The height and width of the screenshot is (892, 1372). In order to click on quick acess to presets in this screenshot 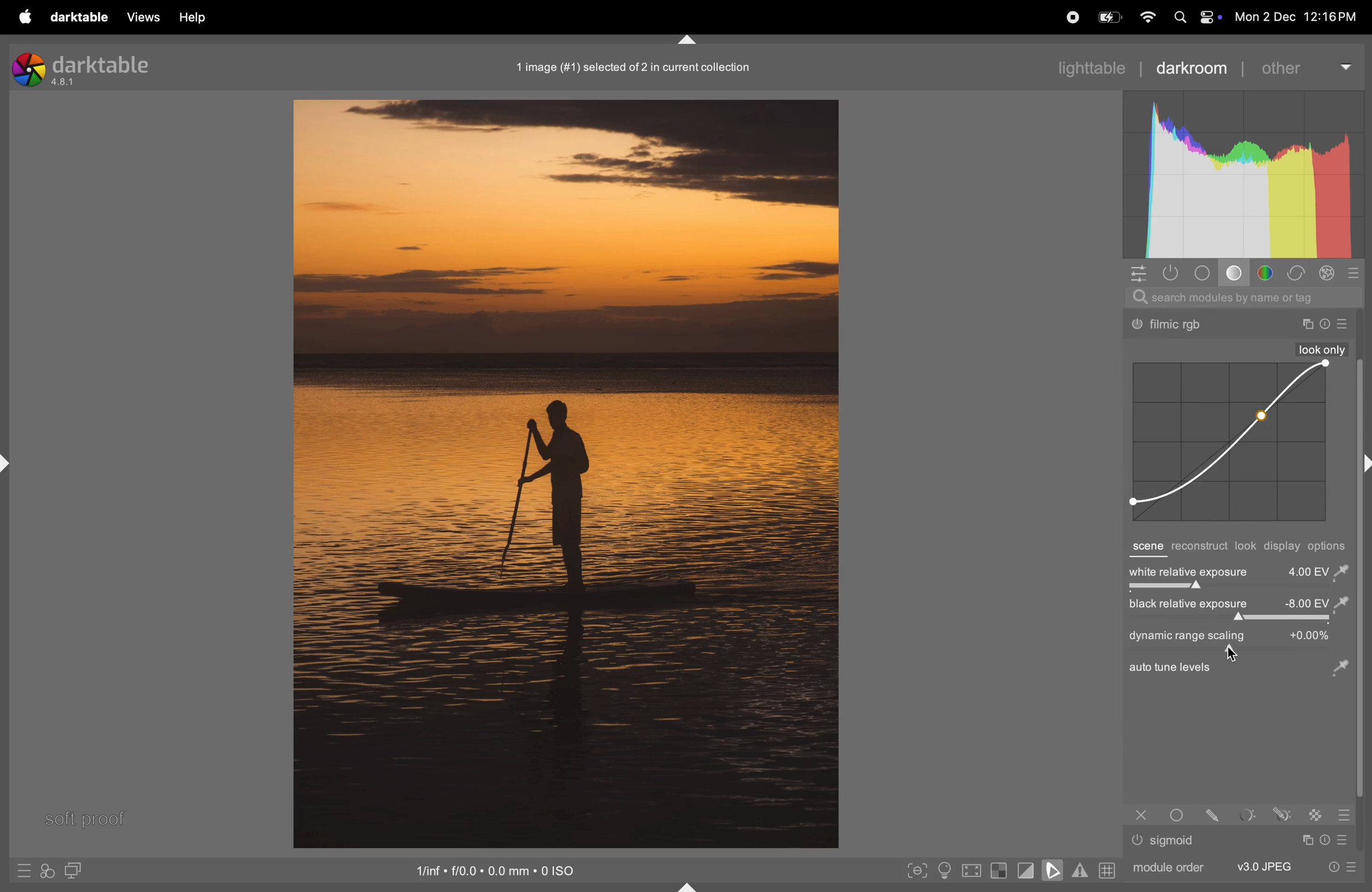, I will do `click(24, 870)`.